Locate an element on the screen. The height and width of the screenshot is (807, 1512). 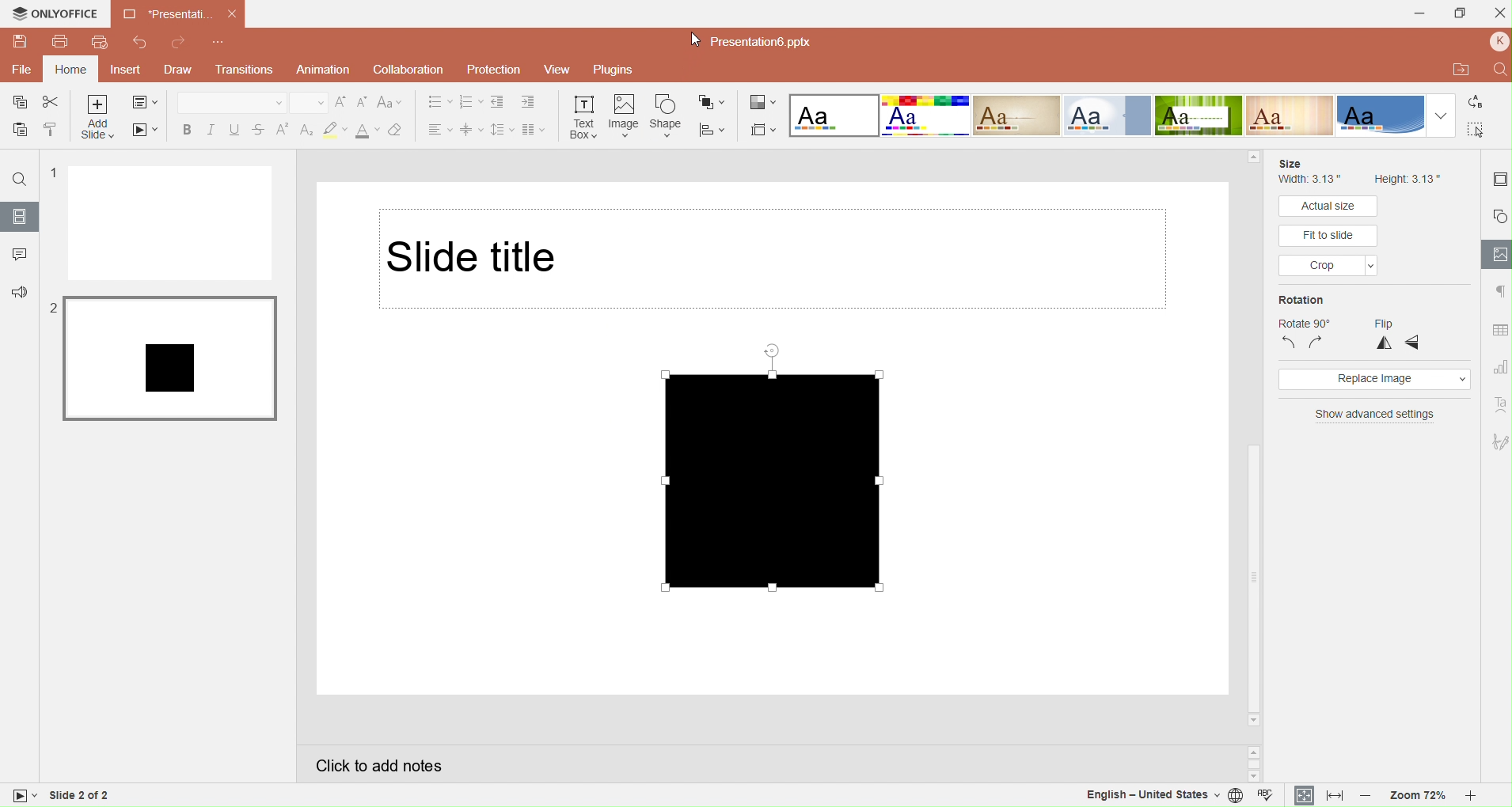
Transitions is located at coordinates (242, 70).